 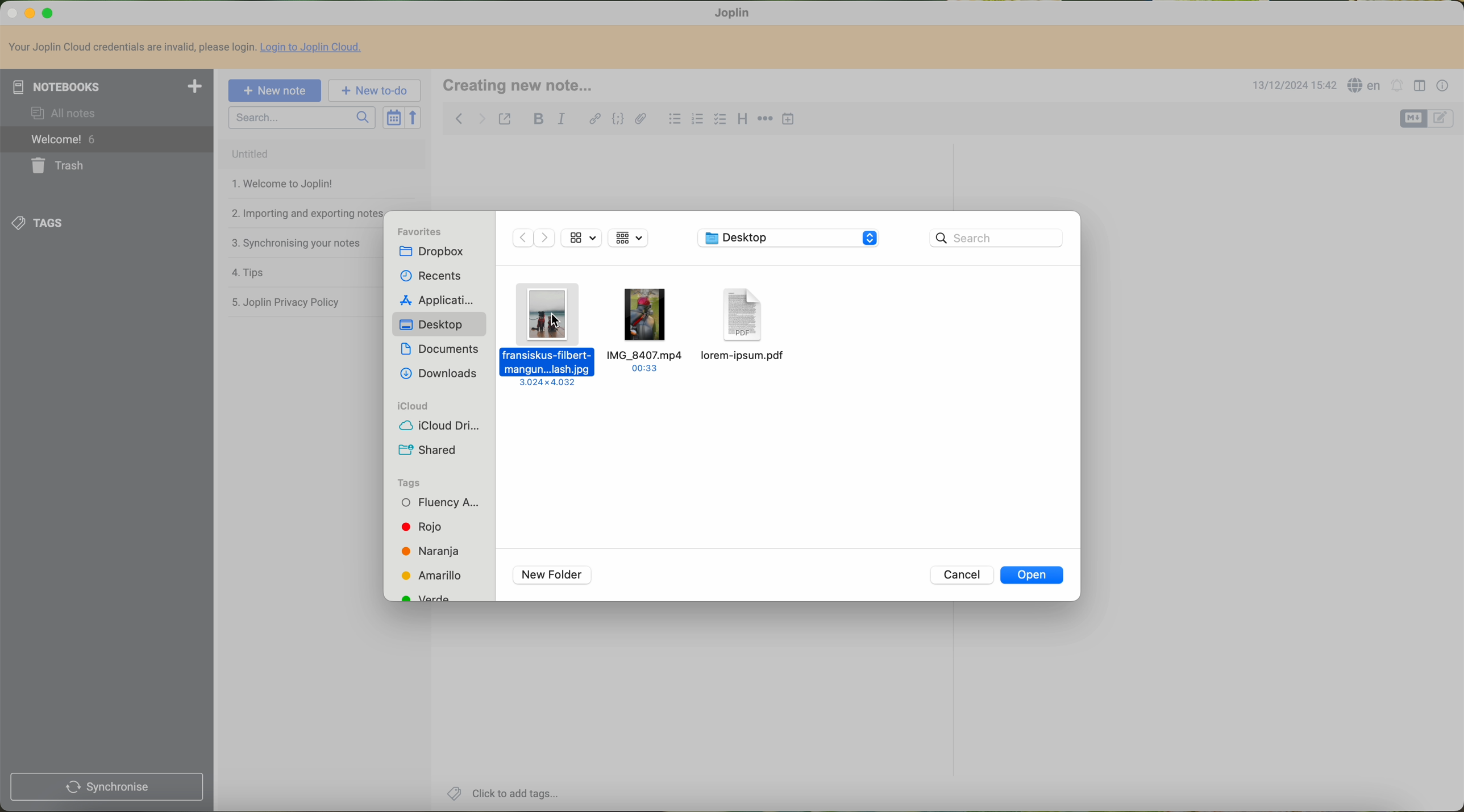 I want to click on navigate back note, so click(x=459, y=118).